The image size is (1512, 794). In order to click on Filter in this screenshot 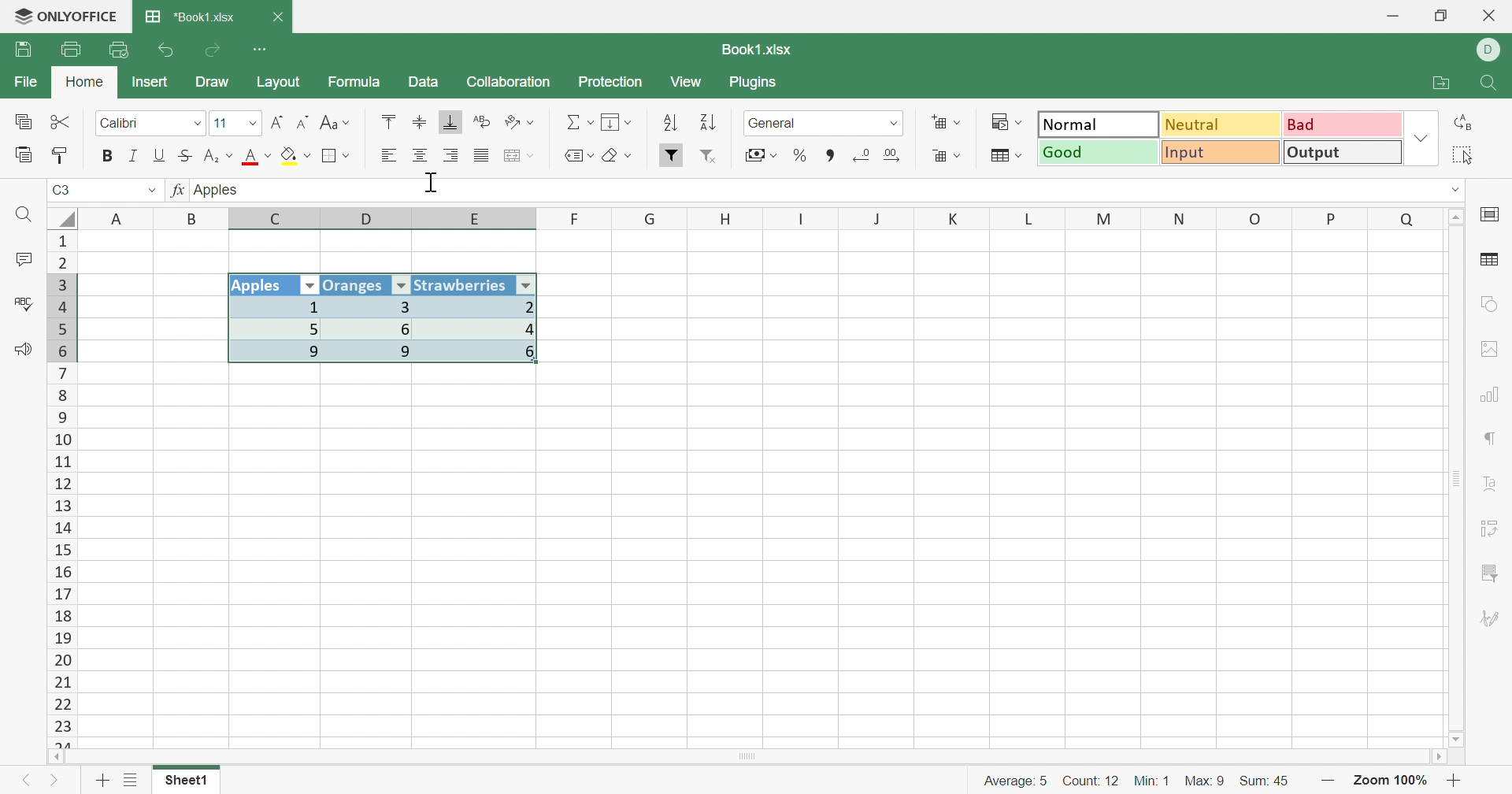, I will do `click(672, 155)`.